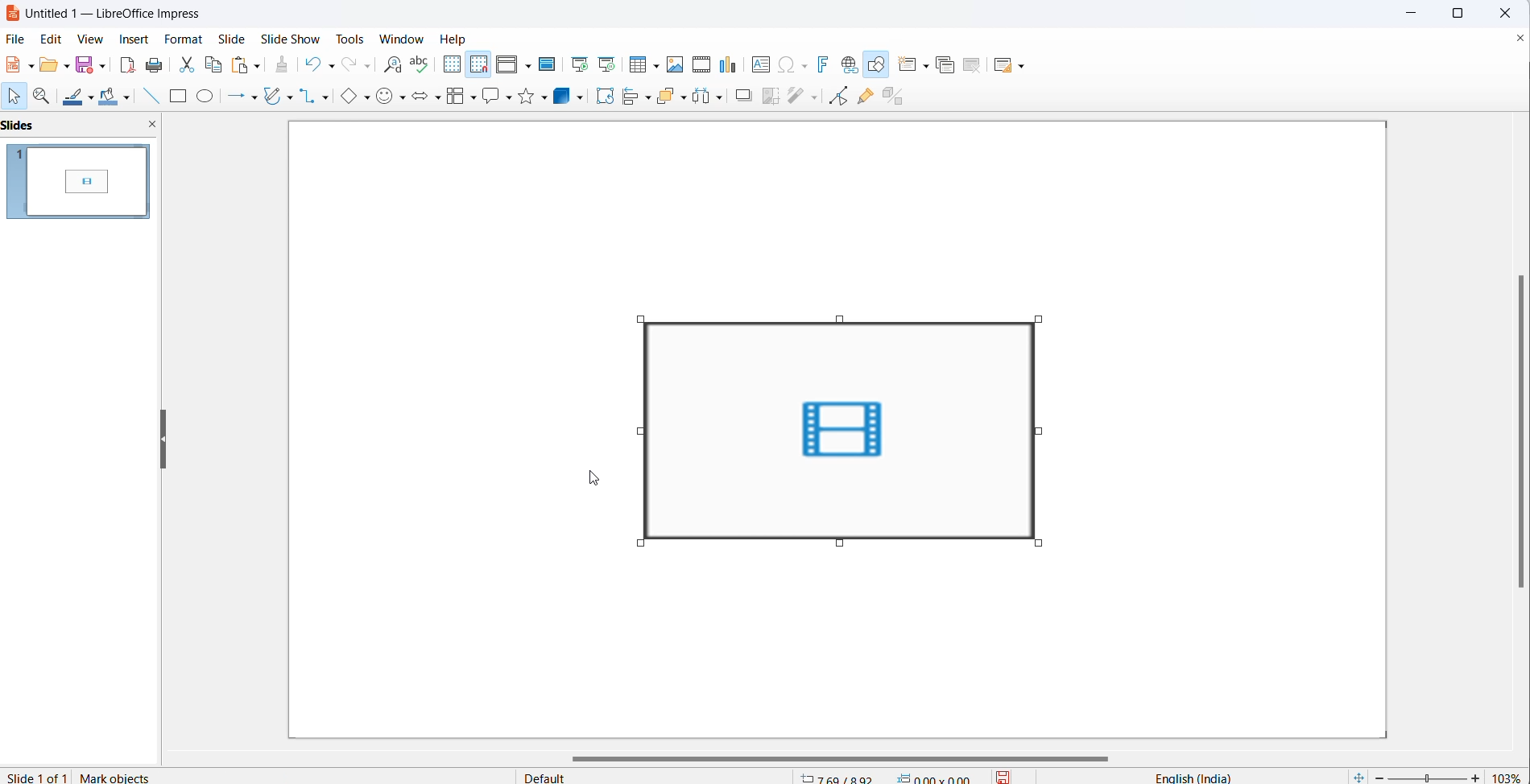 The width and height of the screenshot is (1530, 784). Describe the element at coordinates (635, 318) in the screenshot. I see `selection markup` at that location.